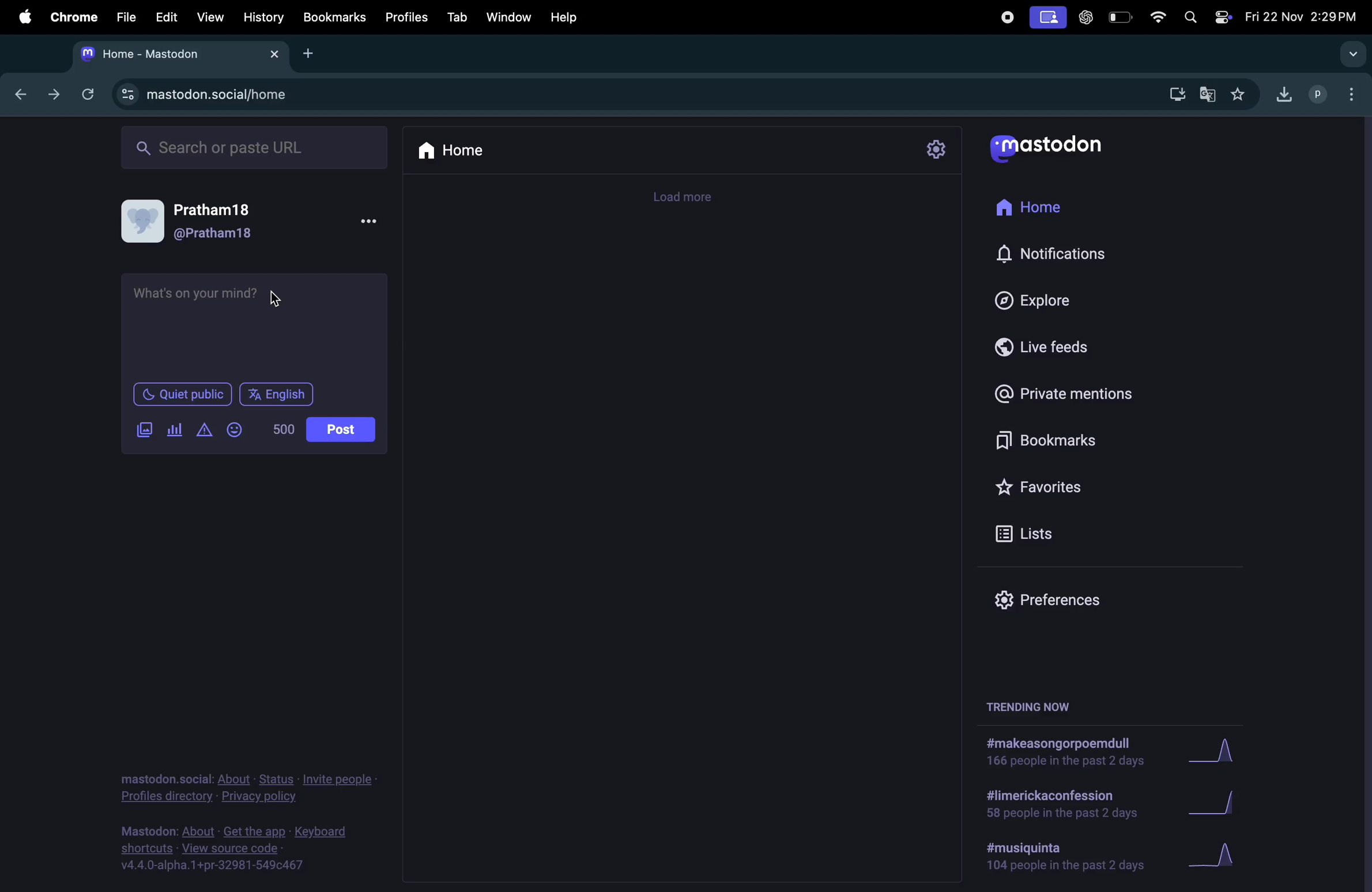 The height and width of the screenshot is (892, 1372). Describe the element at coordinates (184, 395) in the screenshot. I see `quiet public` at that location.